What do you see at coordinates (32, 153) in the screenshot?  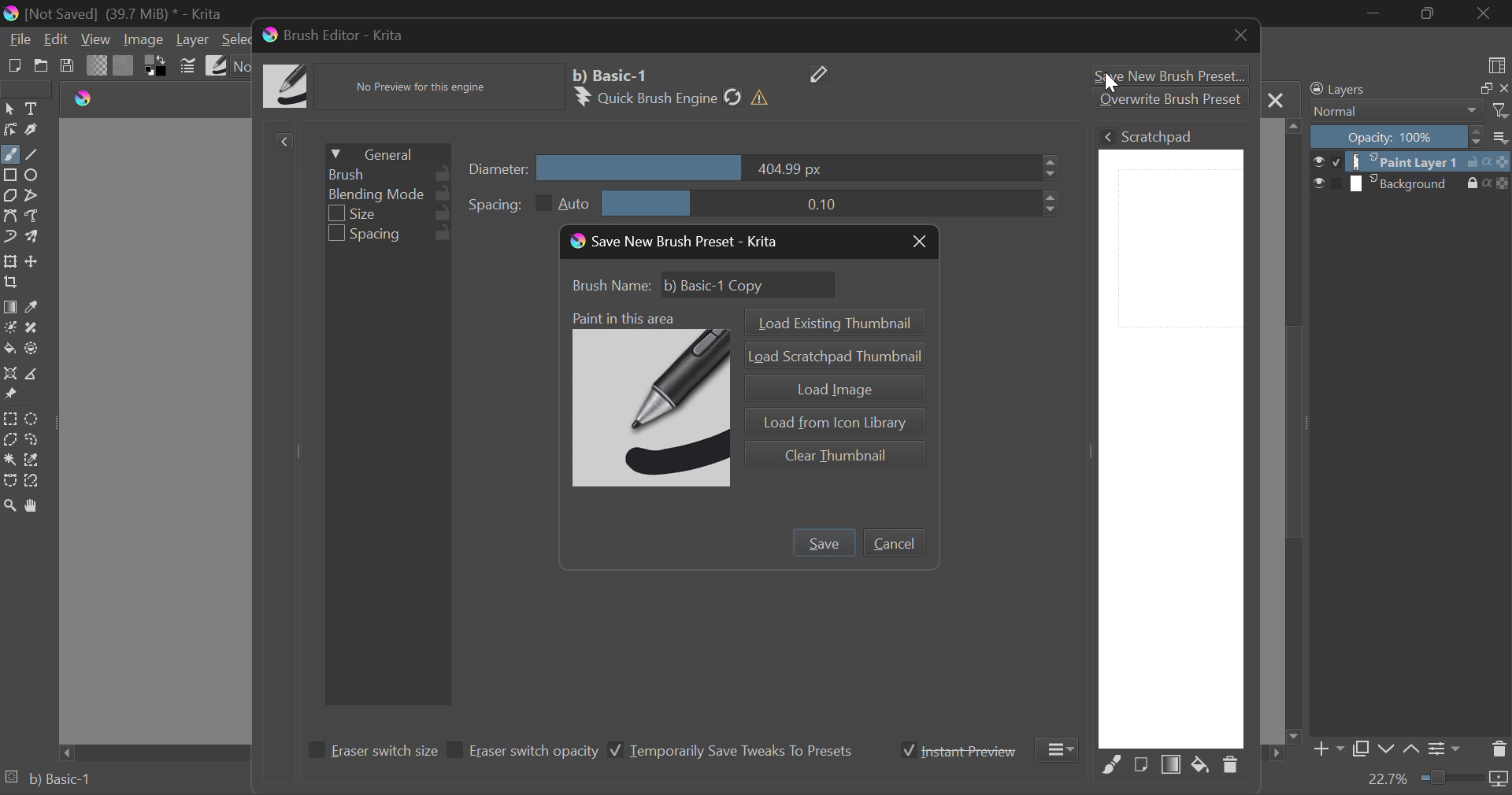 I see `Line` at bounding box center [32, 153].